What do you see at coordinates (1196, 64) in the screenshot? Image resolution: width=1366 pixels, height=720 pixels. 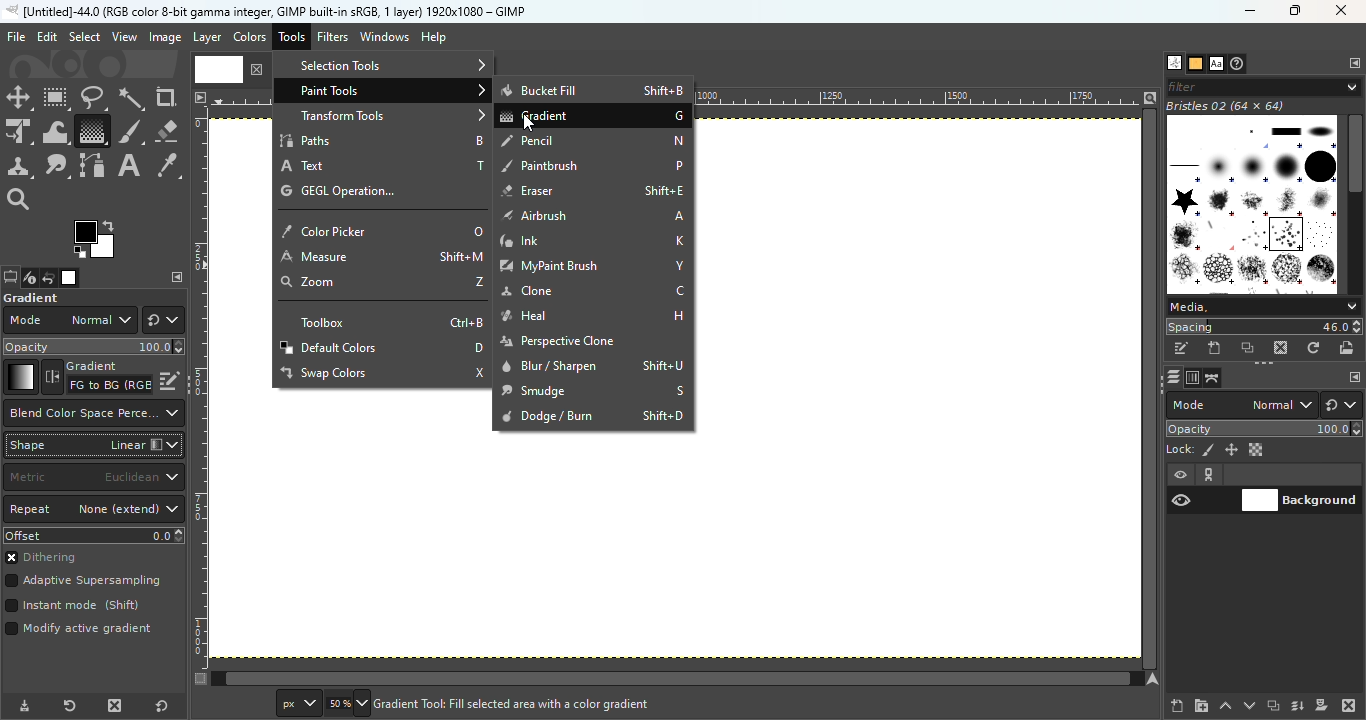 I see `Open the patterns dialog` at bounding box center [1196, 64].